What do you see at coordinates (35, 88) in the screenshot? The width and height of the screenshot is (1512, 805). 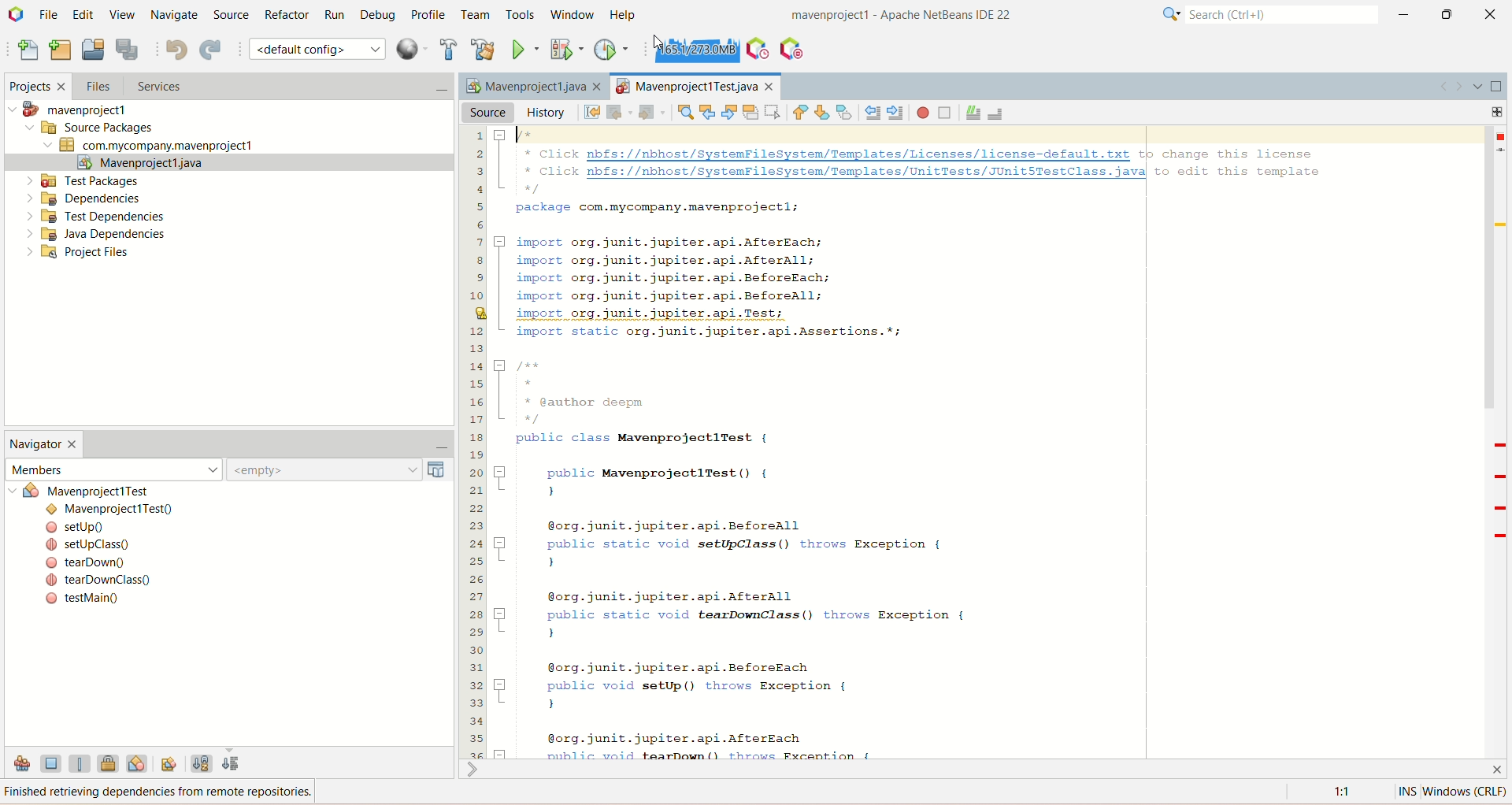 I see `projects` at bounding box center [35, 88].